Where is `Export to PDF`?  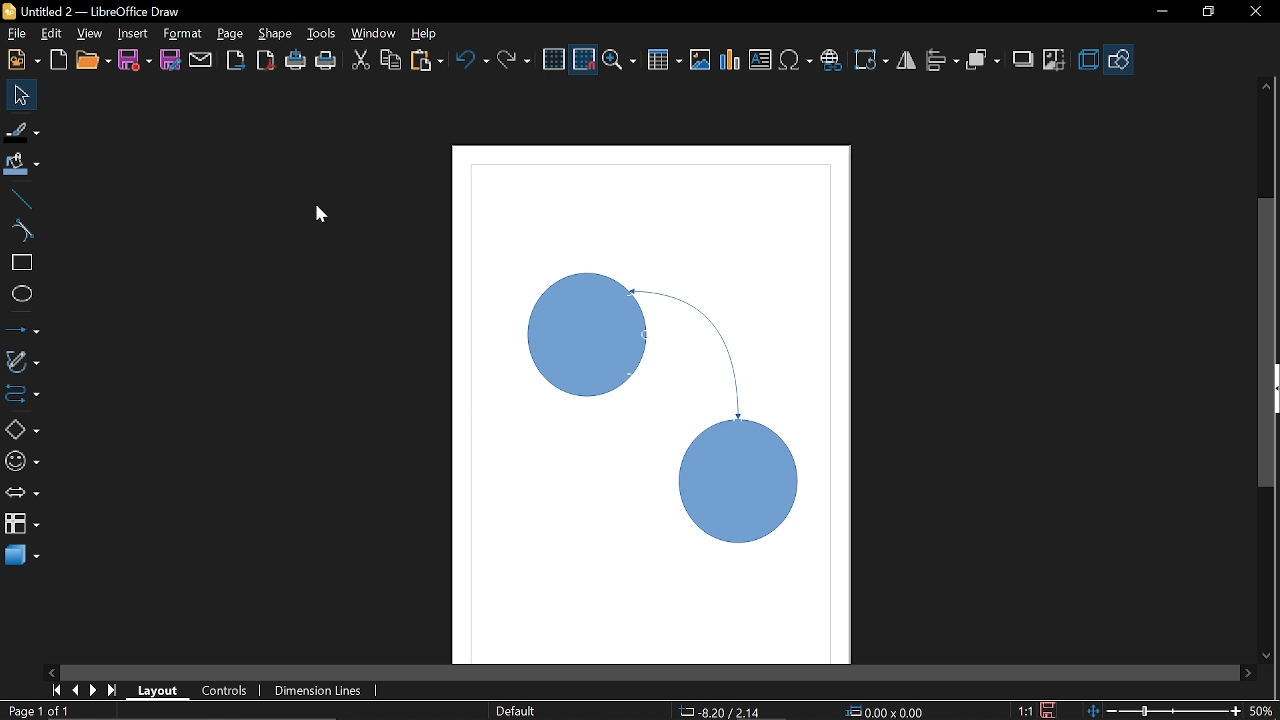 Export to PDF is located at coordinates (267, 59).